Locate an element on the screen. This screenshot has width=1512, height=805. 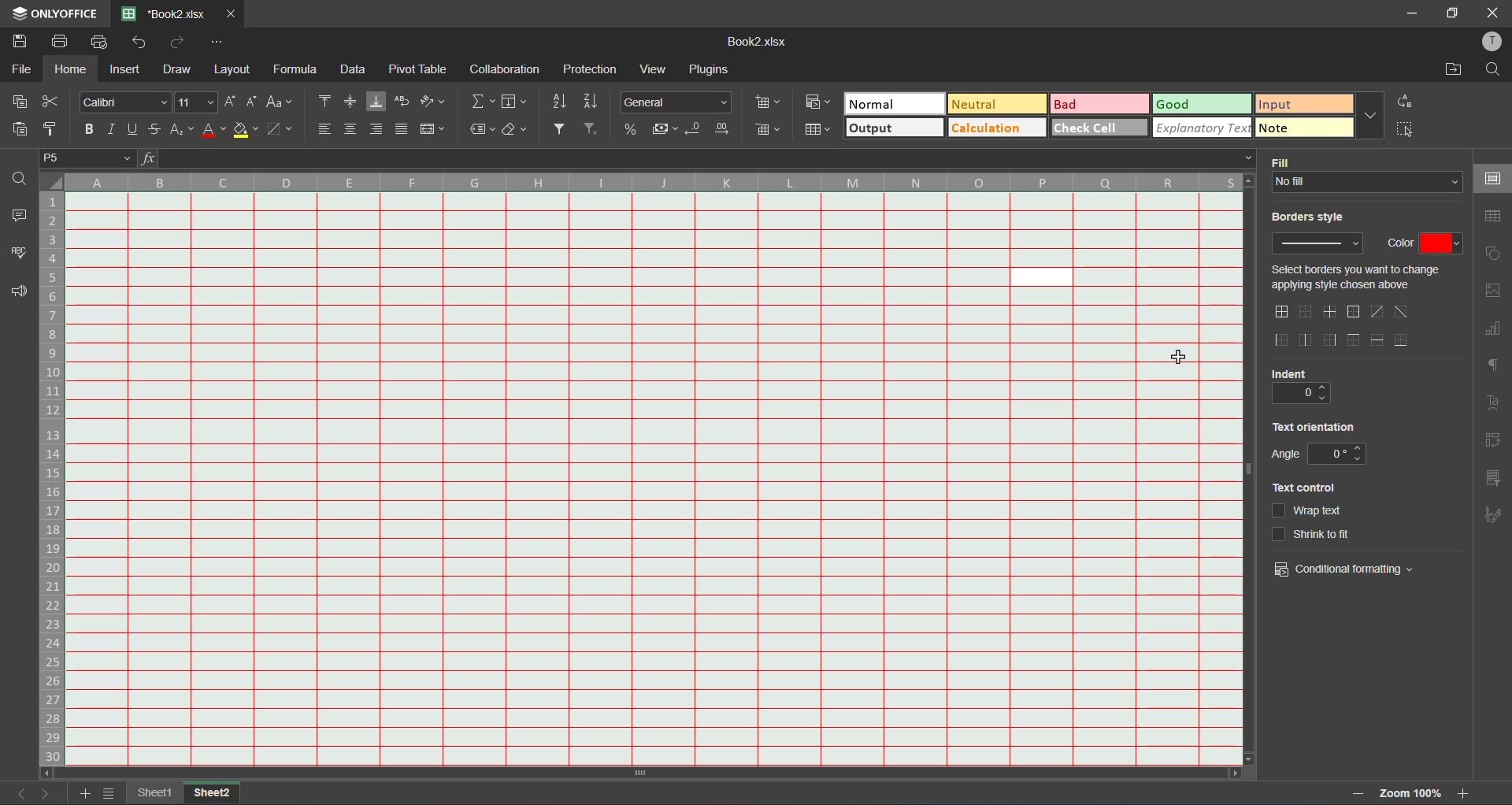
align bottom is located at coordinates (379, 100).